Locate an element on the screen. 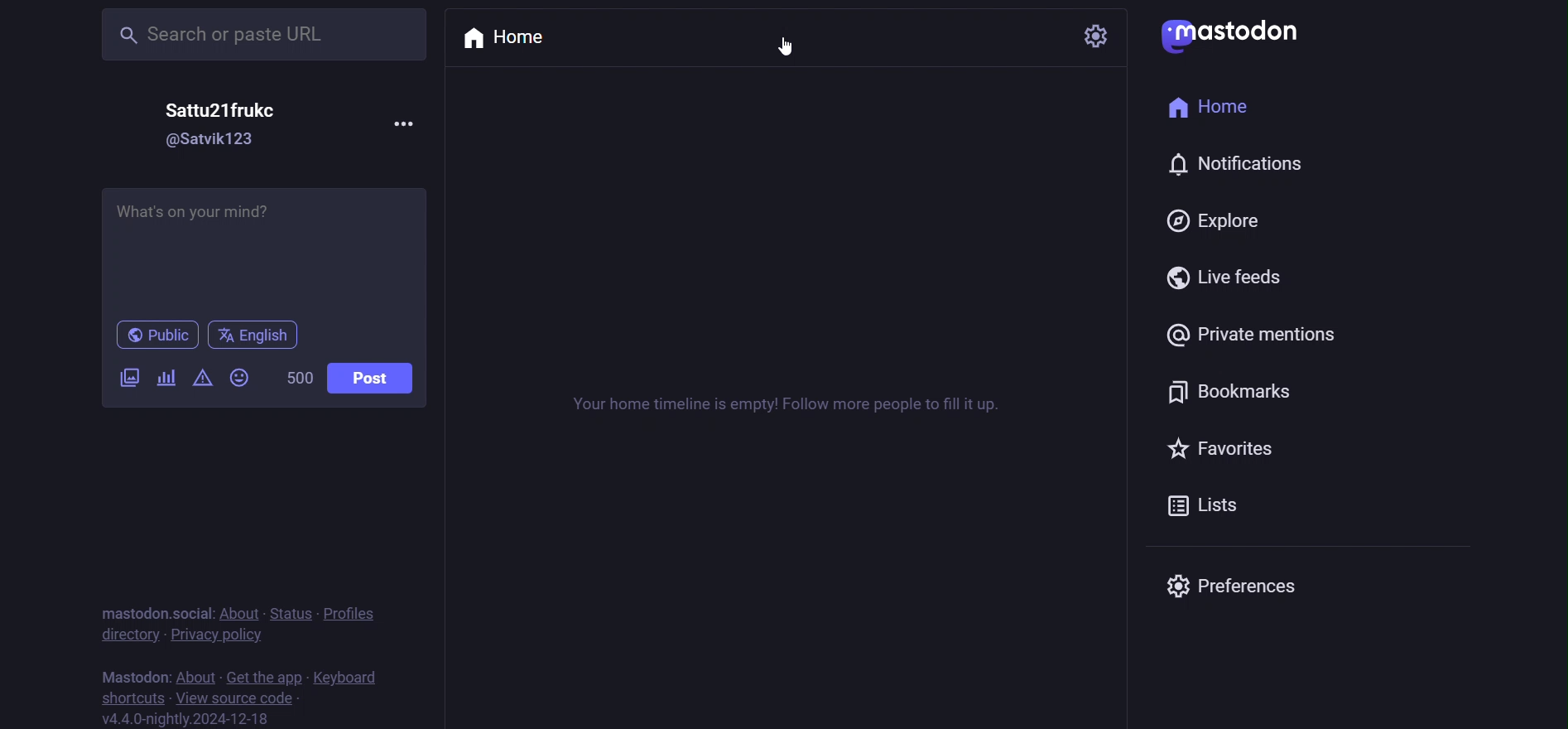  keyboard is located at coordinates (356, 677).